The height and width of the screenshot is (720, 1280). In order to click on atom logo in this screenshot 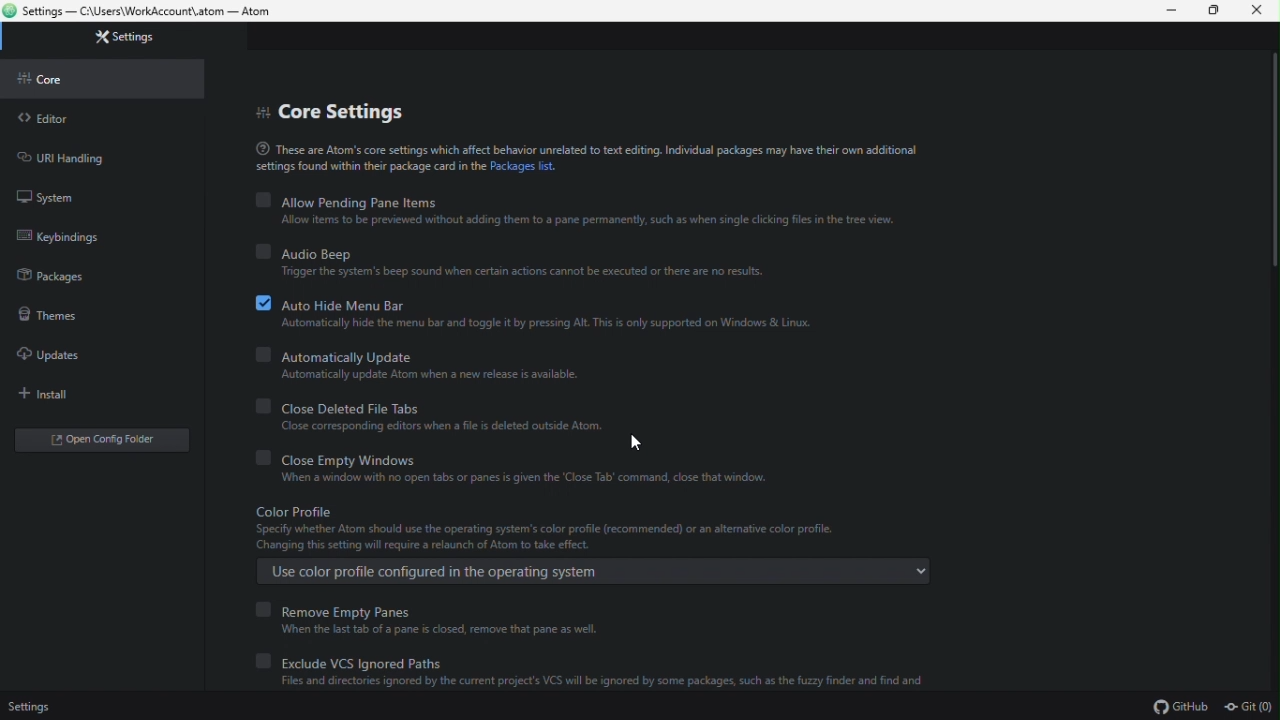, I will do `click(10, 12)`.